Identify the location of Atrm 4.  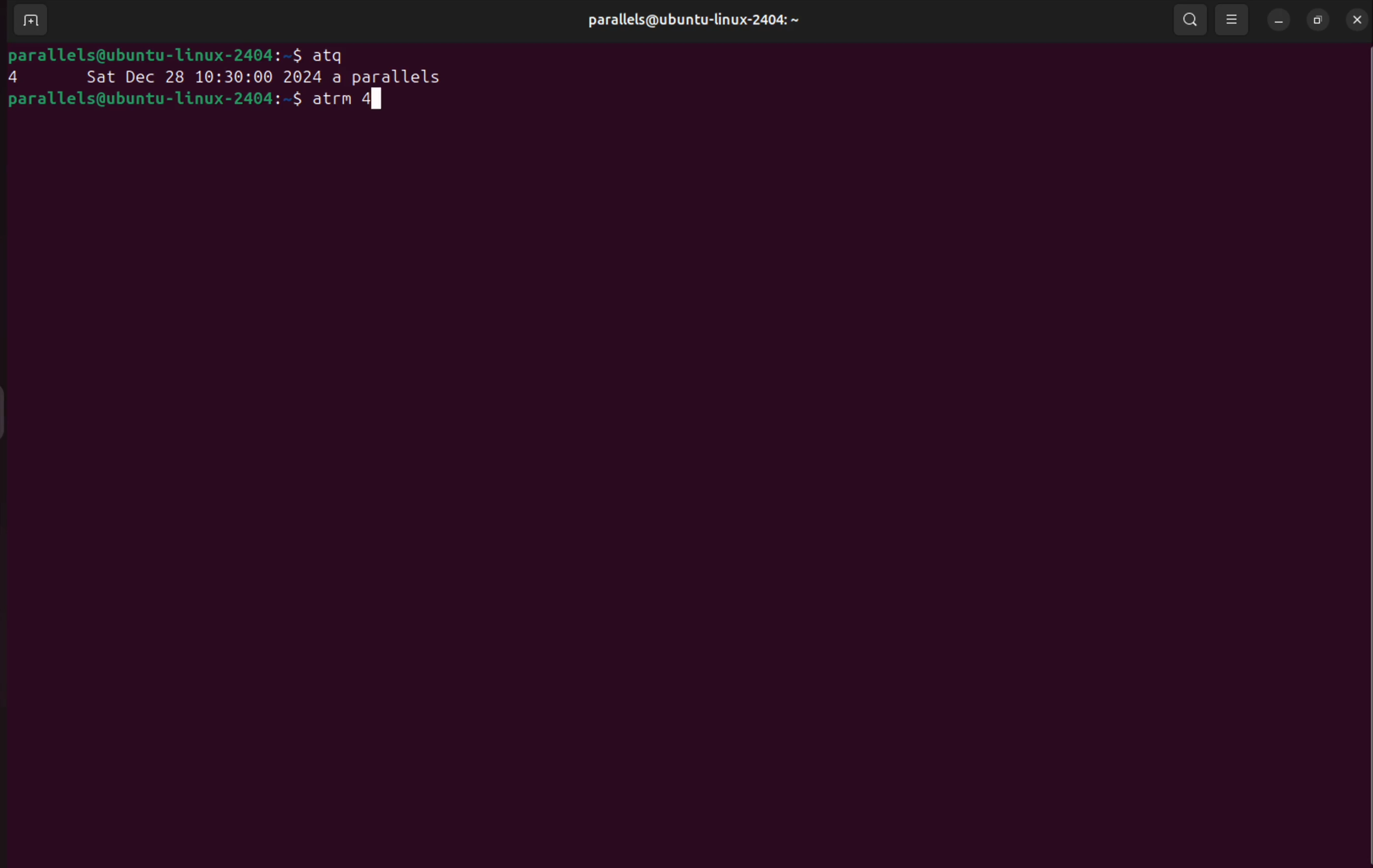
(353, 100).